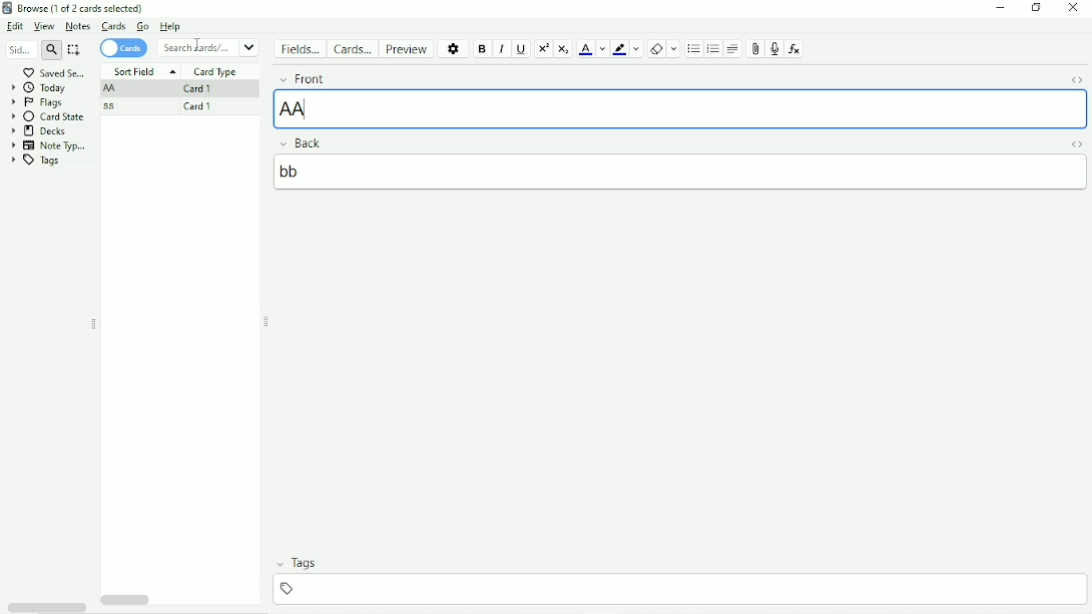  What do you see at coordinates (215, 72) in the screenshot?
I see `Card Type` at bounding box center [215, 72].